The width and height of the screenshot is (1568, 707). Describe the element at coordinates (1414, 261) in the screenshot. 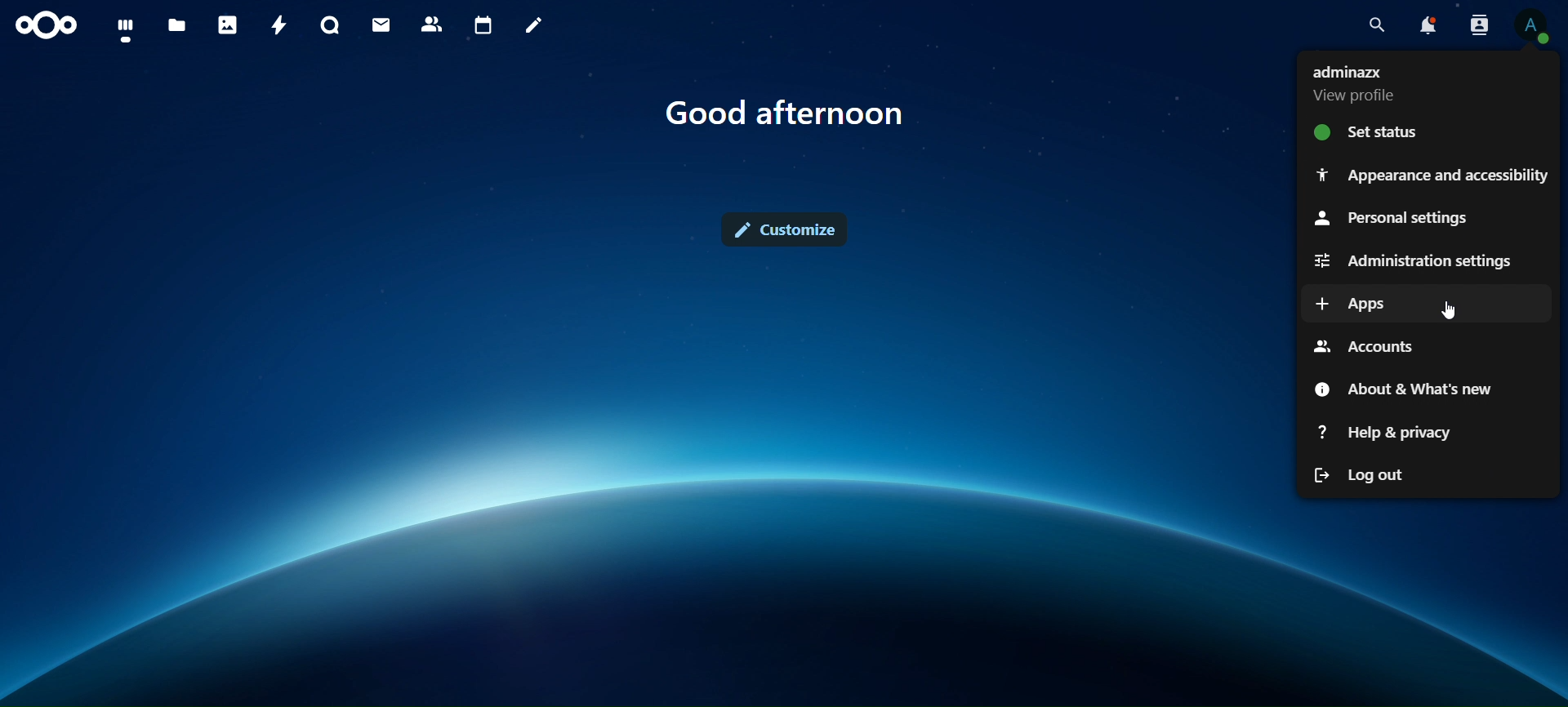

I see `administration settings` at that location.